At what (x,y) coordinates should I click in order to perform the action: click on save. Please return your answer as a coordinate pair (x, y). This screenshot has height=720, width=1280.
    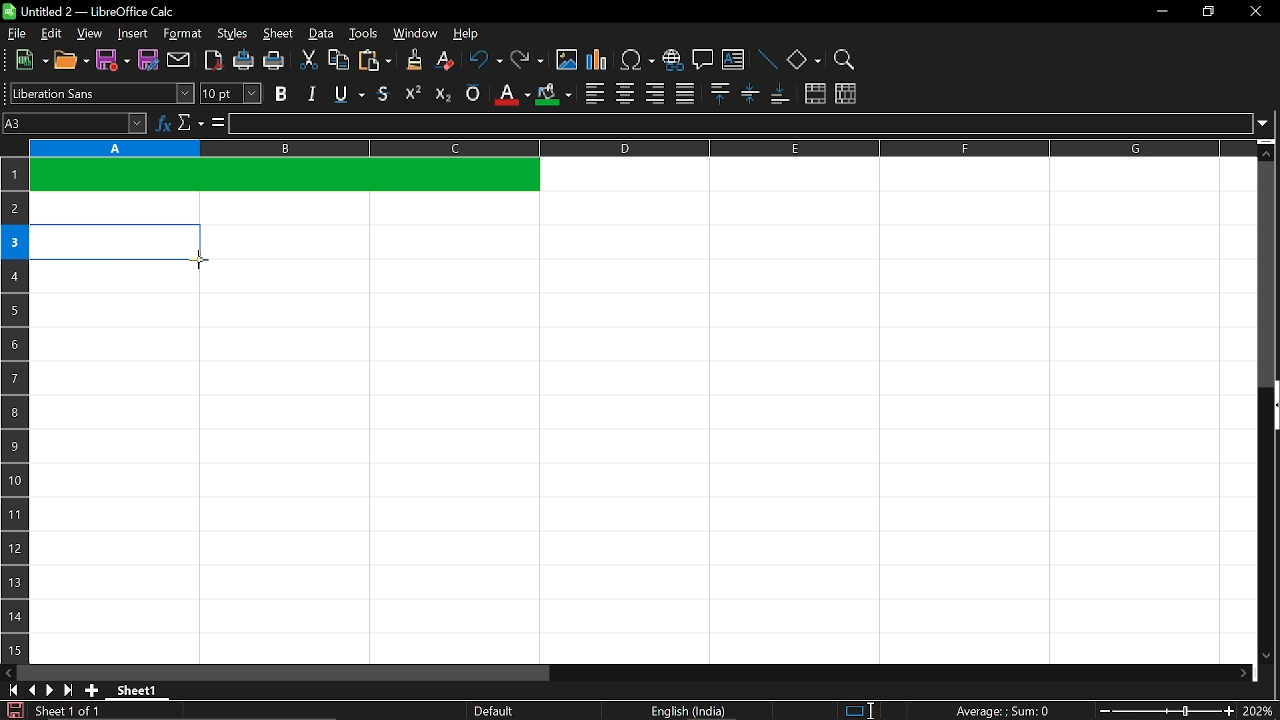
    Looking at the image, I should click on (113, 61).